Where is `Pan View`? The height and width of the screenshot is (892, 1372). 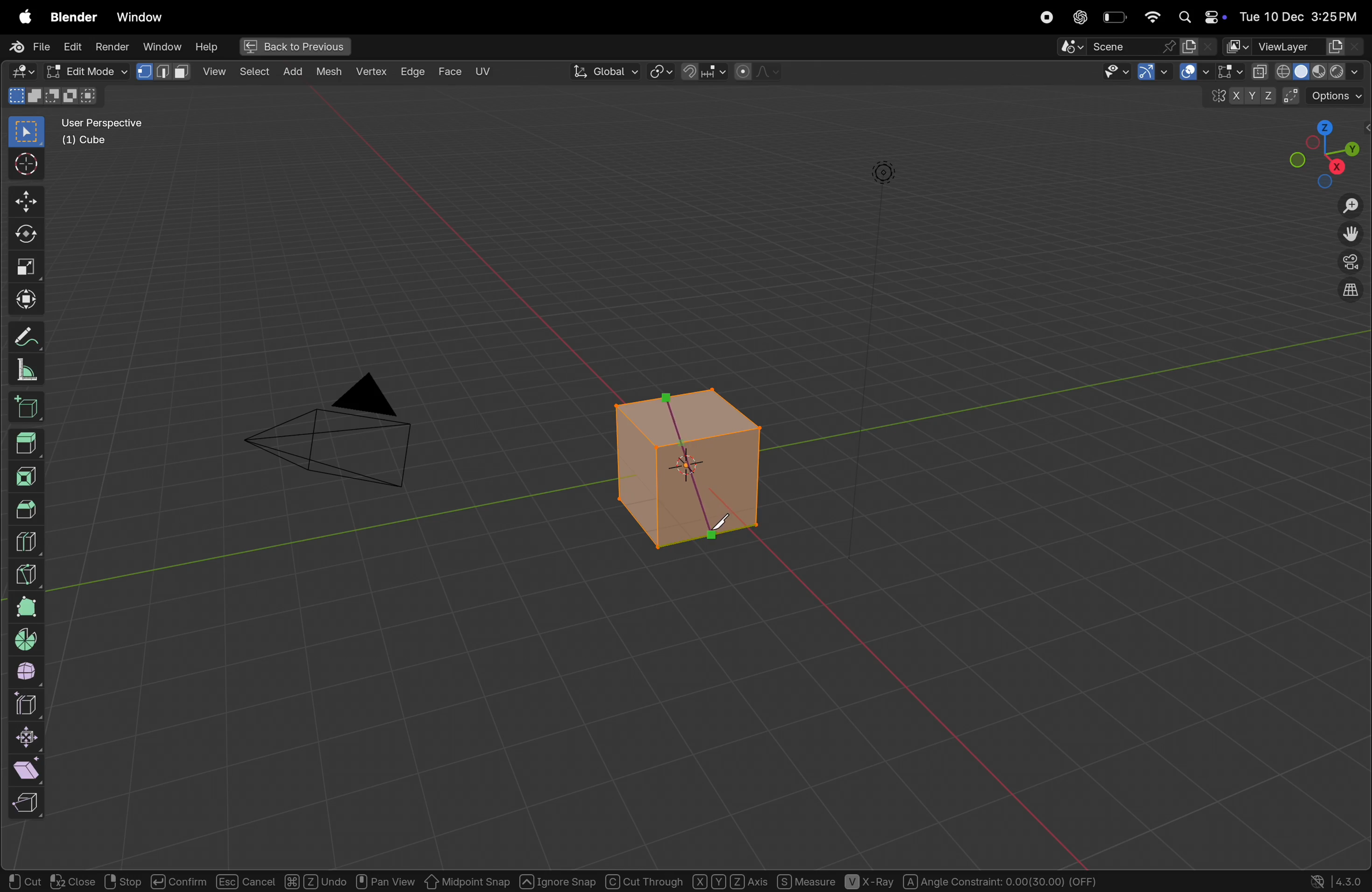 Pan View is located at coordinates (385, 880).